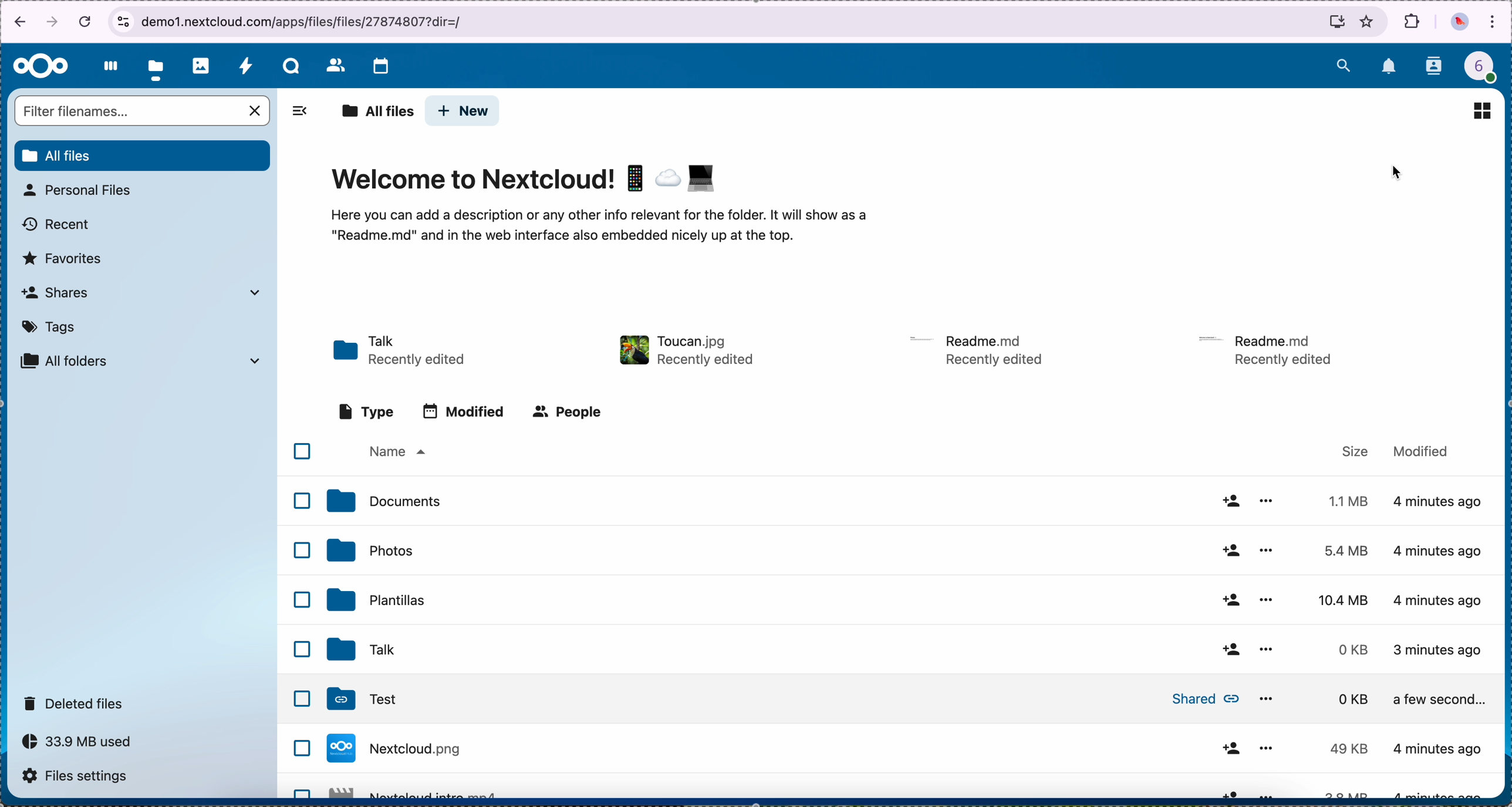 The width and height of the screenshot is (1512, 807). I want to click on talk, so click(291, 66).